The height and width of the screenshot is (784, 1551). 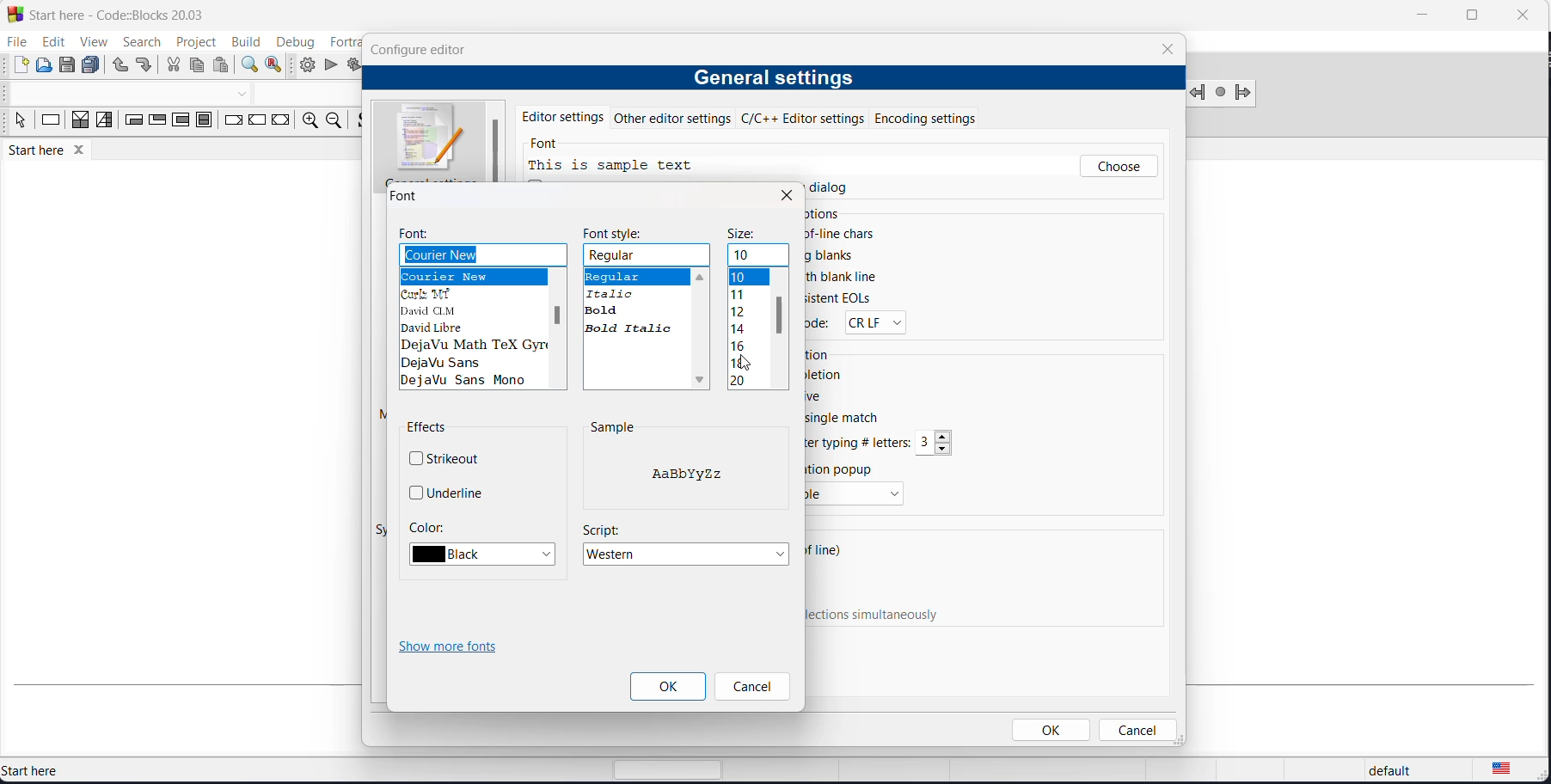 What do you see at coordinates (487, 554) in the screenshot?
I see `color options dropwdown` at bounding box center [487, 554].